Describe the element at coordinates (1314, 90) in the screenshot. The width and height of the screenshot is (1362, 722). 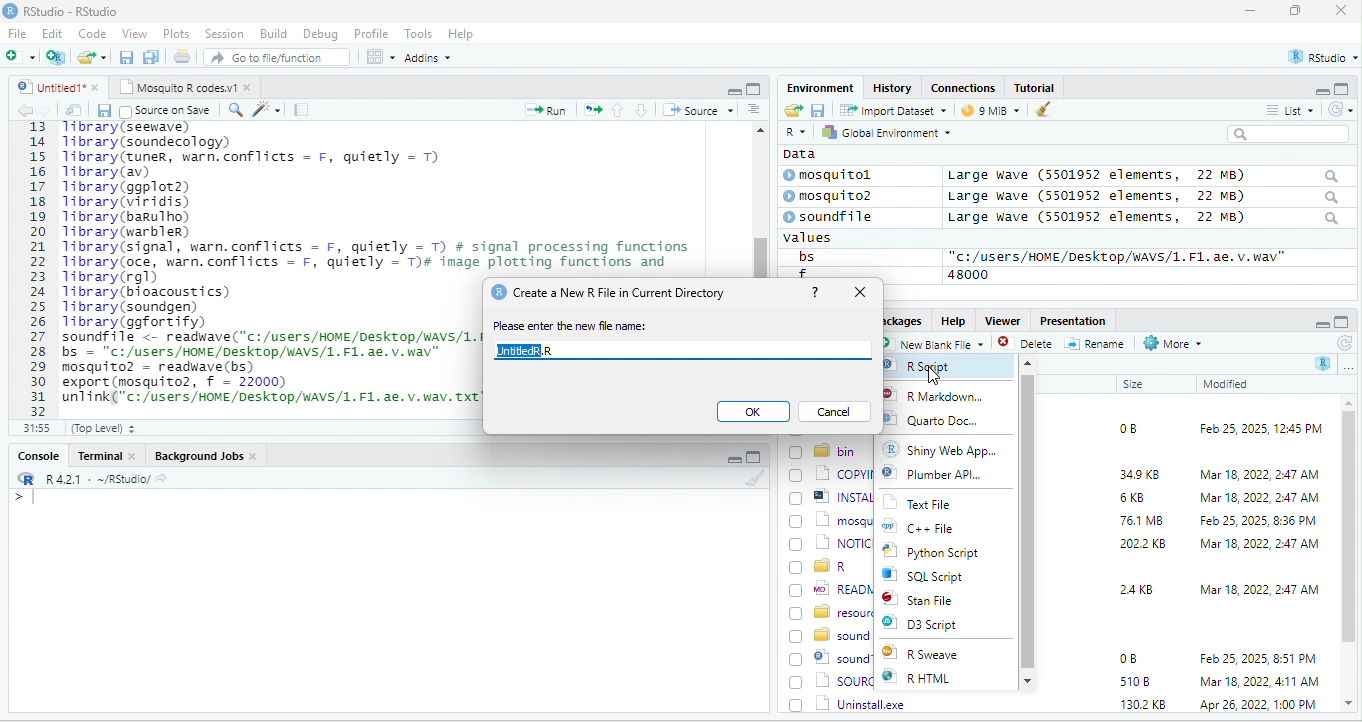
I see `minimize` at that location.